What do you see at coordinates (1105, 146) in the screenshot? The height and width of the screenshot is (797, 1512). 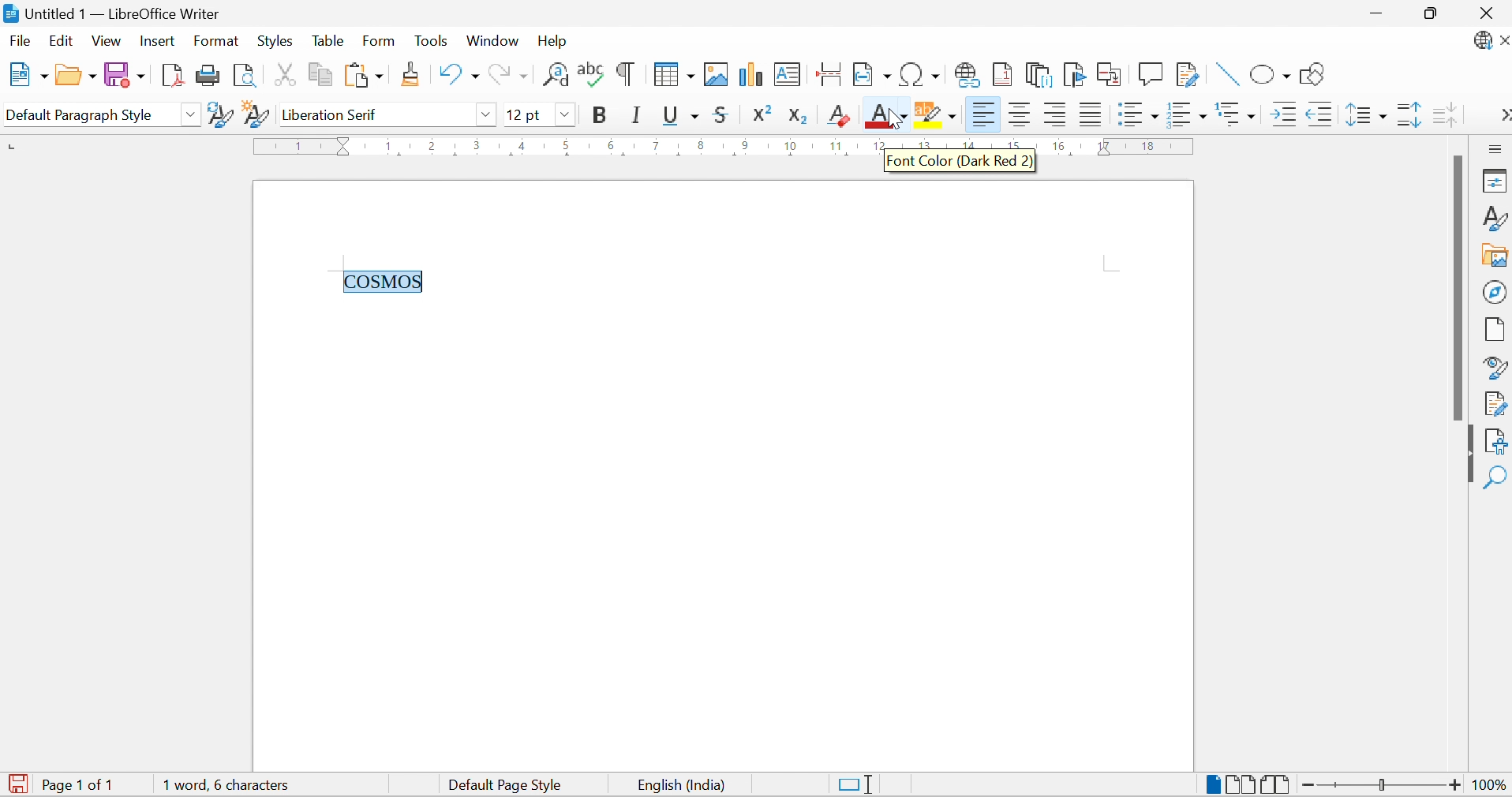 I see `17` at bounding box center [1105, 146].